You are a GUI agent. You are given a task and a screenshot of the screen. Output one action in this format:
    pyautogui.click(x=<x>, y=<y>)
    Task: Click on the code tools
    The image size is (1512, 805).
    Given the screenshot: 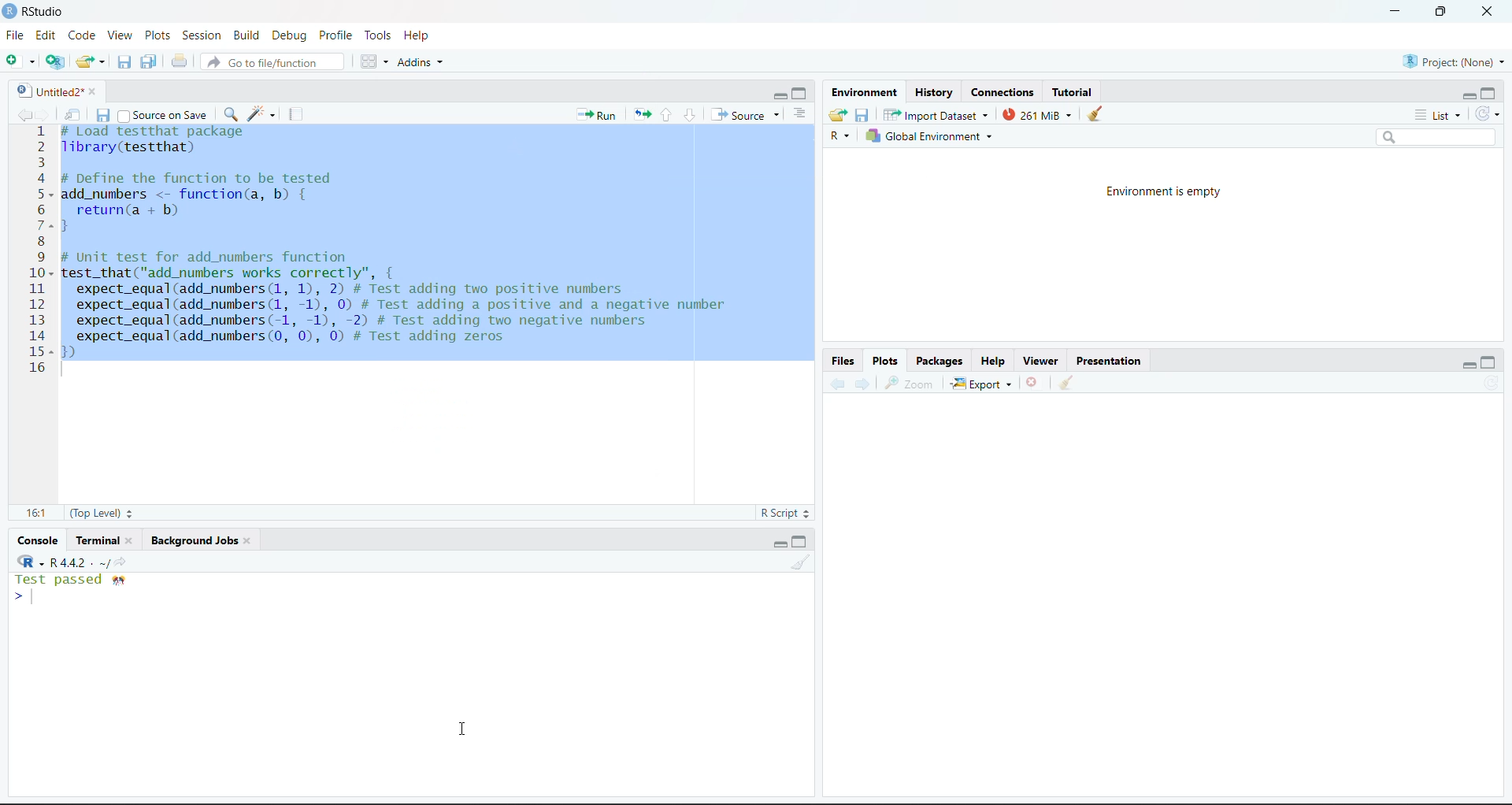 What is the action you would take?
    pyautogui.click(x=261, y=113)
    